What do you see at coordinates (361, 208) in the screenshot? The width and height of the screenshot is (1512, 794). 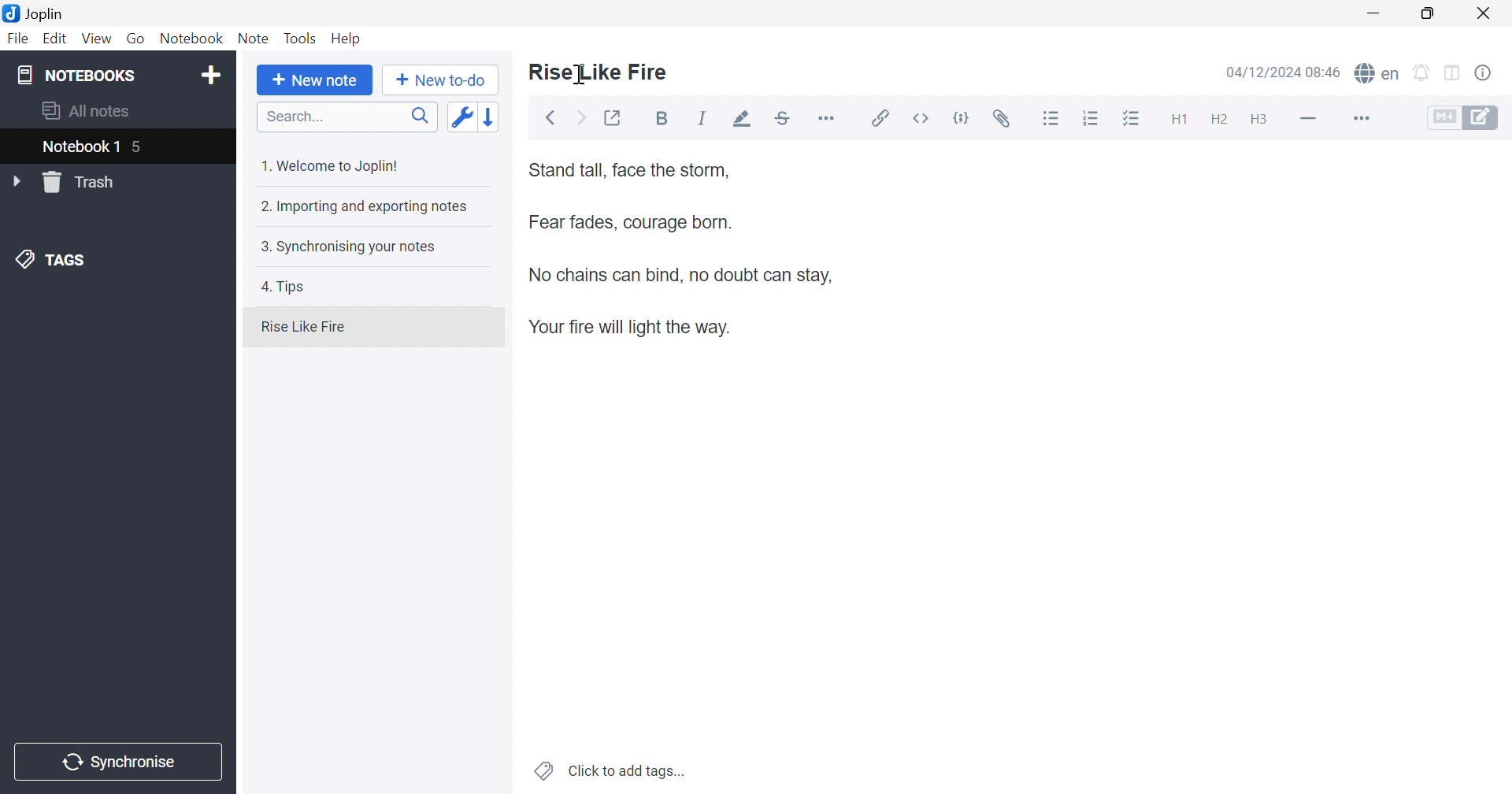 I see `2. Importing and exporting notes` at bounding box center [361, 208].